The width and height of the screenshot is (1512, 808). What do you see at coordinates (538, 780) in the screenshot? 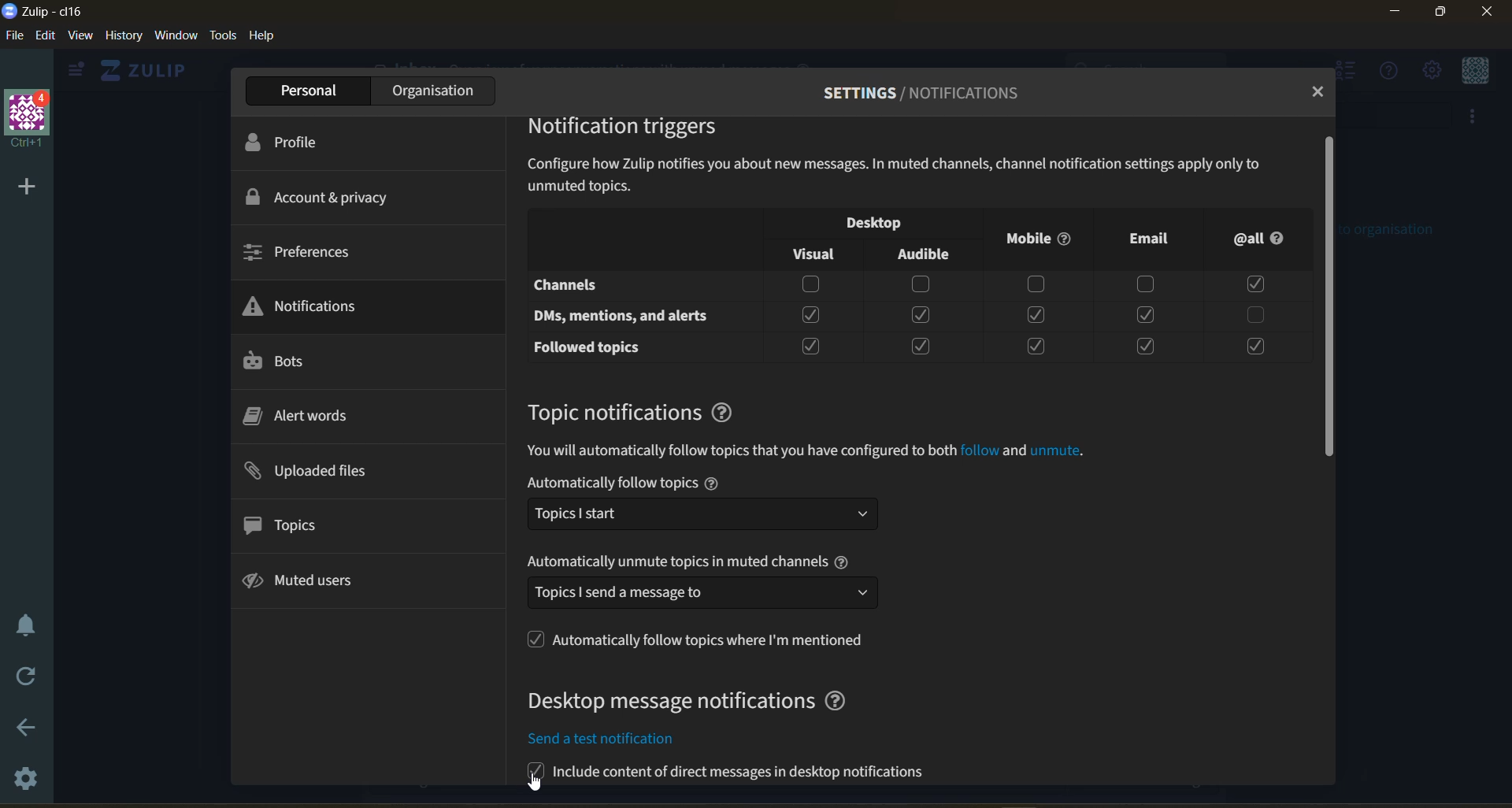
I see `cursor` at bounding box center [538, 780].